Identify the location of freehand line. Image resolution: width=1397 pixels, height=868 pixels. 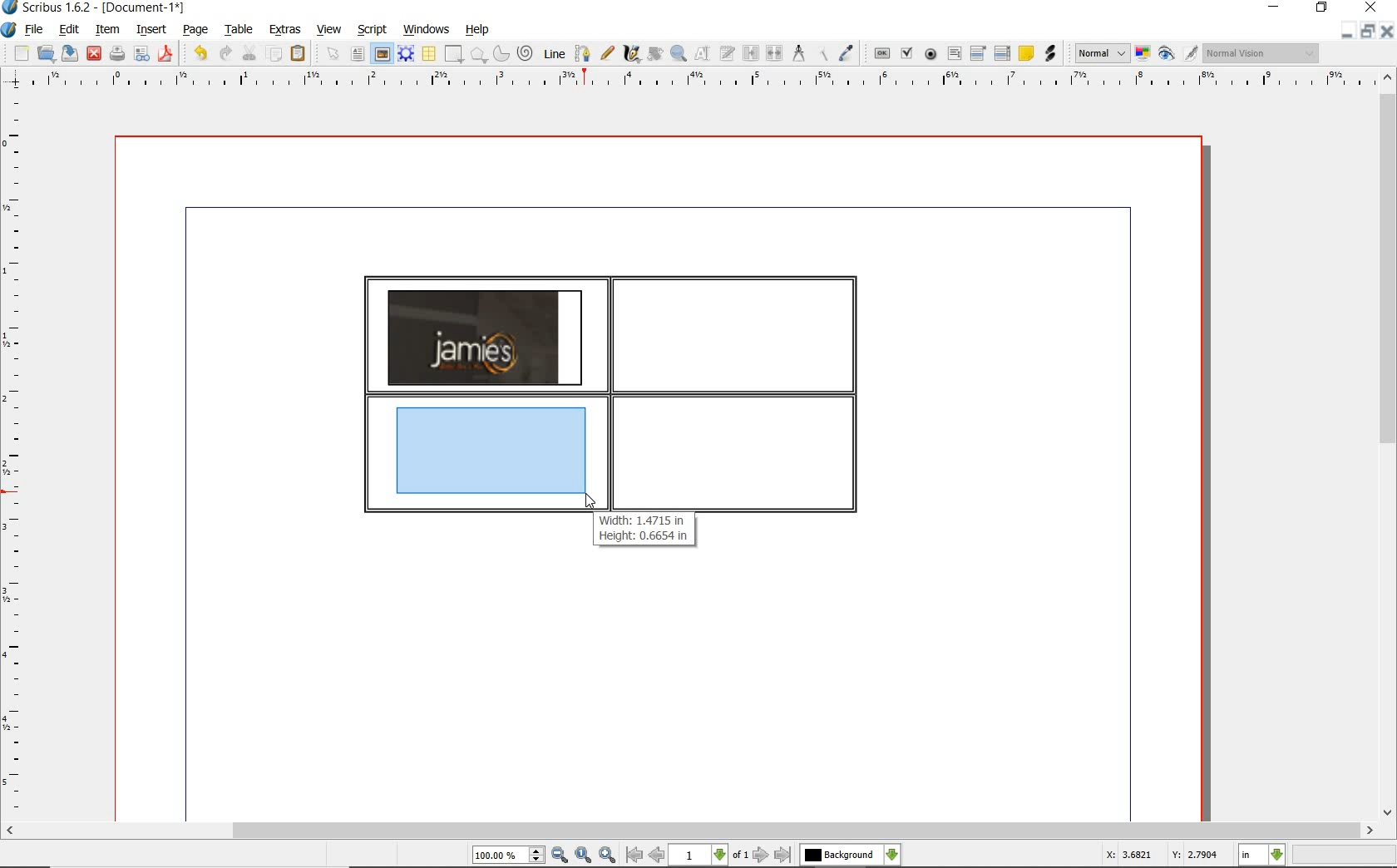
(609, 54).